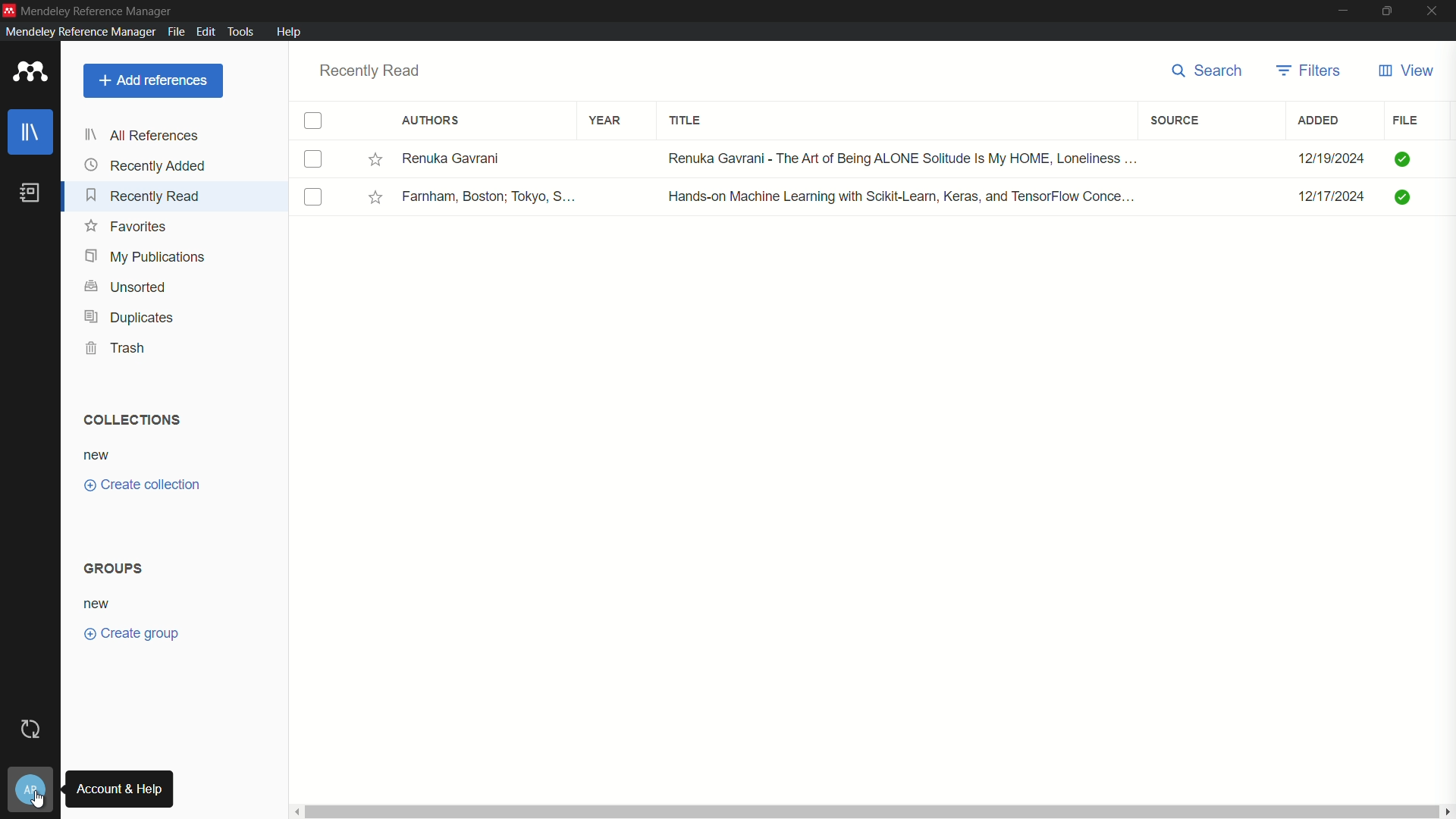  I want to click on book, so click(29, 193).